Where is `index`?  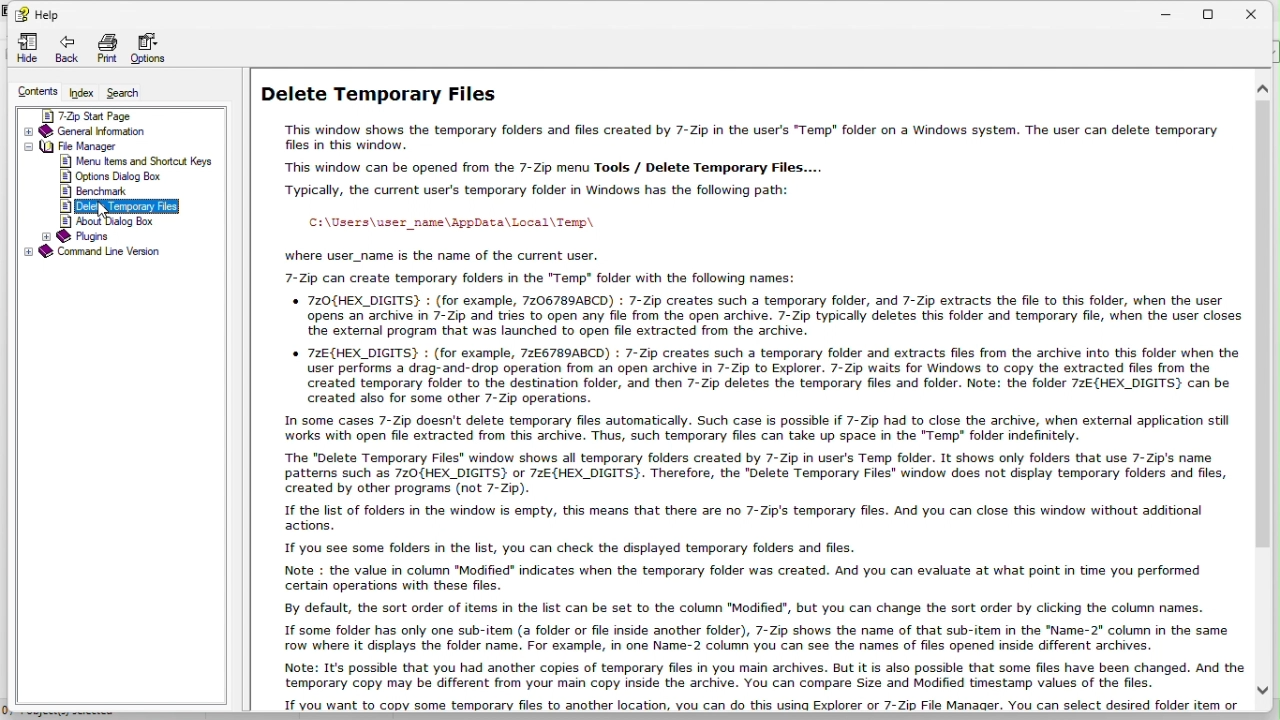 index is located at coordinates (83, 94).